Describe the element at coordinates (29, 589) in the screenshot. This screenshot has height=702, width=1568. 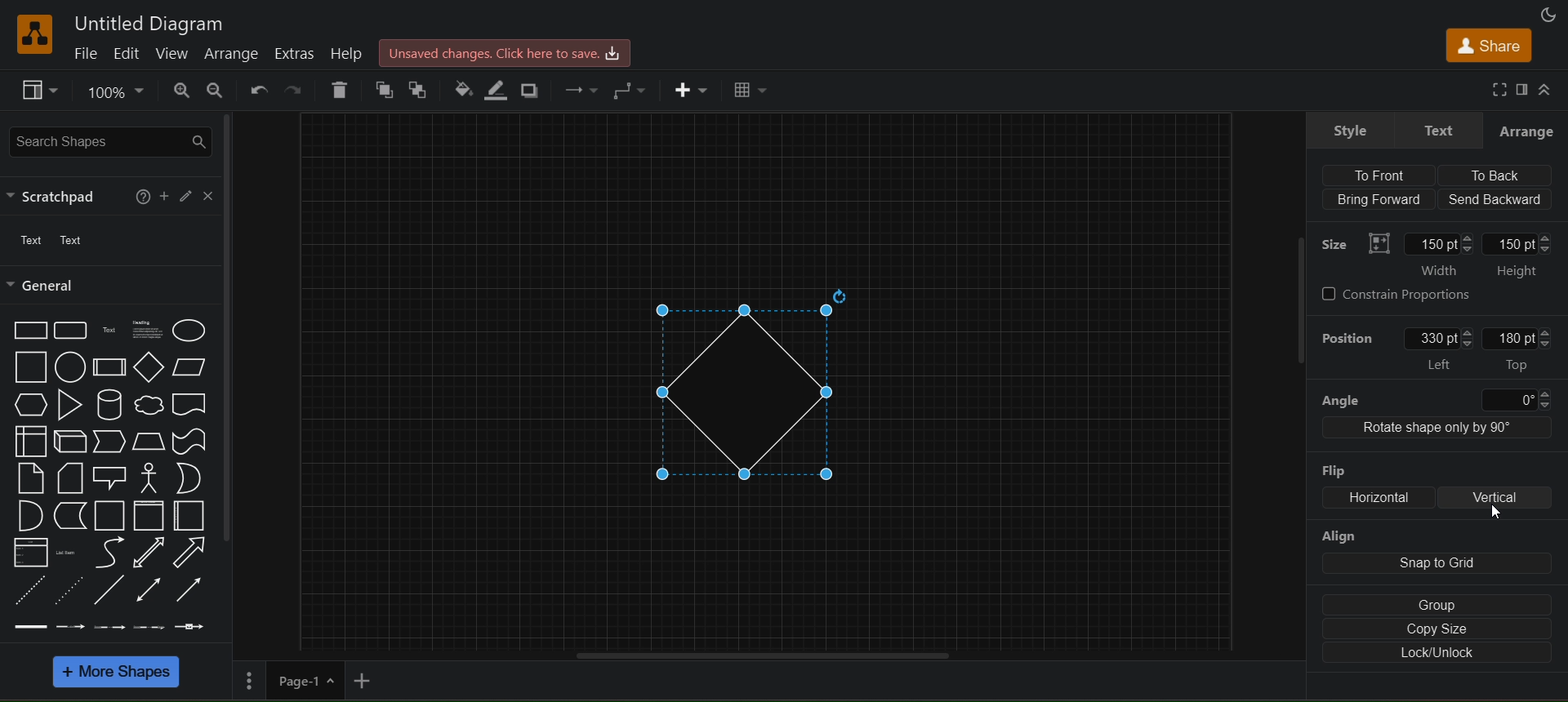
I see `dashed line` at that location.